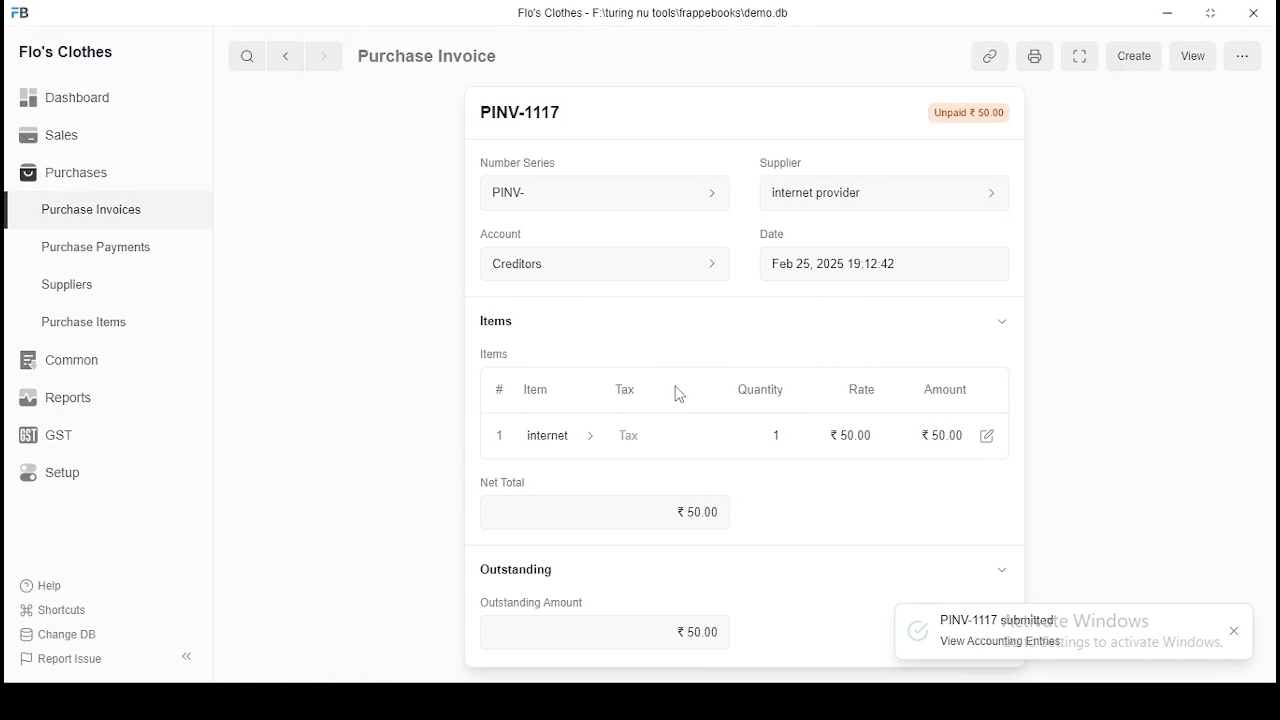  I want to click on tab, so click(1003, 569).